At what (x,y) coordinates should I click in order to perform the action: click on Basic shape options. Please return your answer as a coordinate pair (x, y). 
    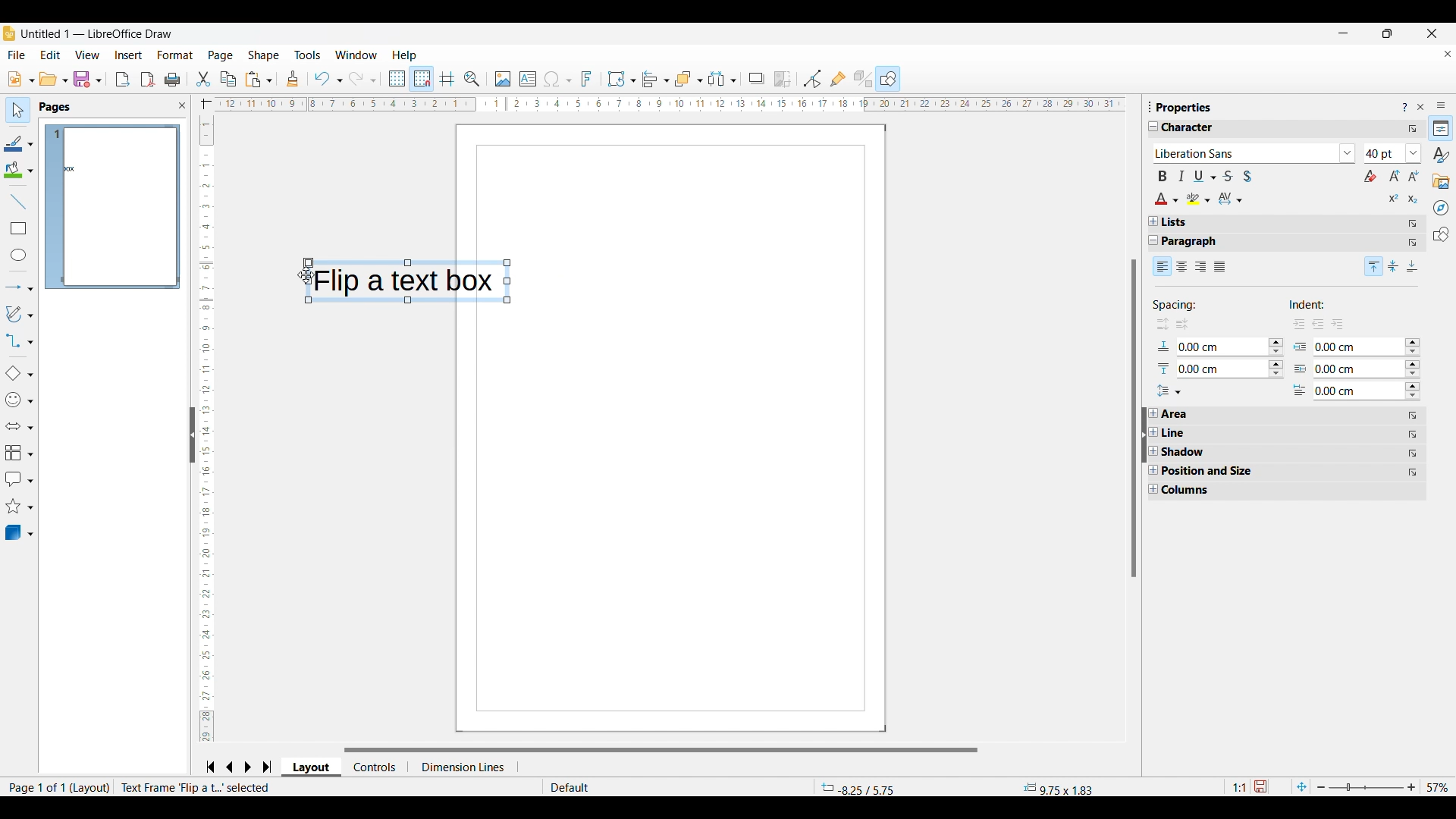
    Looking at the image, I should click on (19, 373).